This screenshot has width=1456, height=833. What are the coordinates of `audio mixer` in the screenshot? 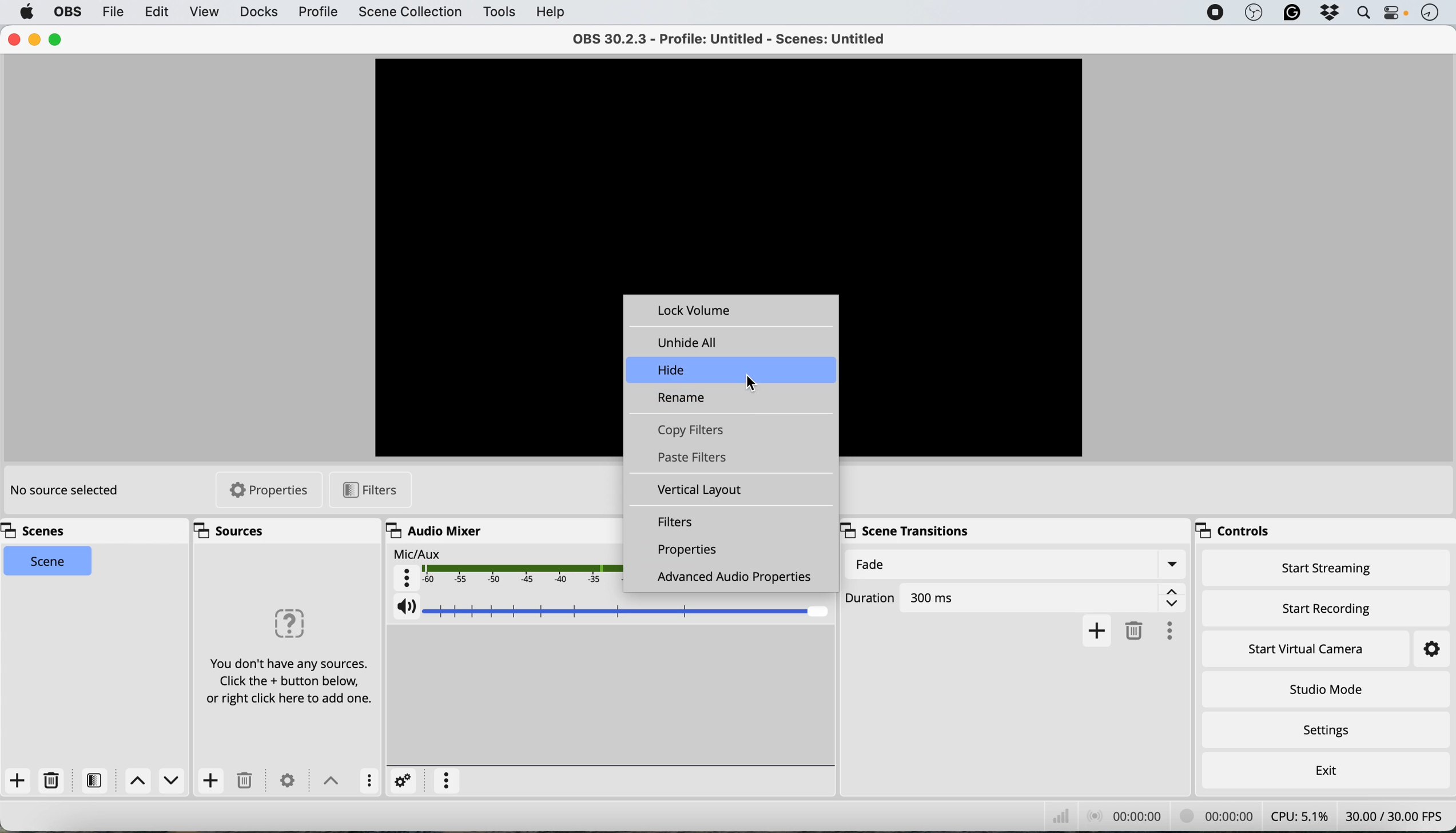 It's located at (439, 531).